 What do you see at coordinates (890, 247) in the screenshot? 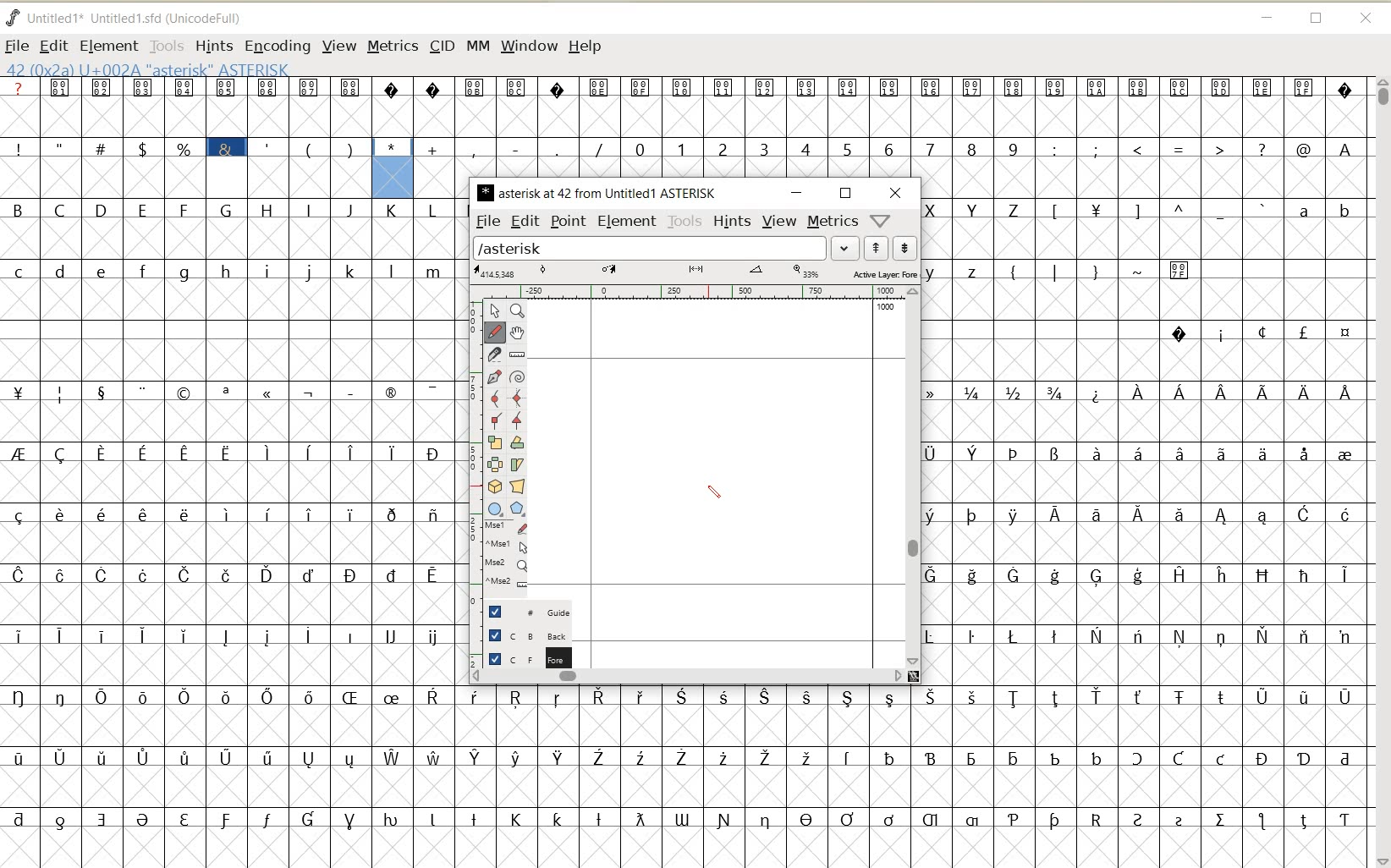
I see `show previous/next word list` at bounding box center [890, 247].